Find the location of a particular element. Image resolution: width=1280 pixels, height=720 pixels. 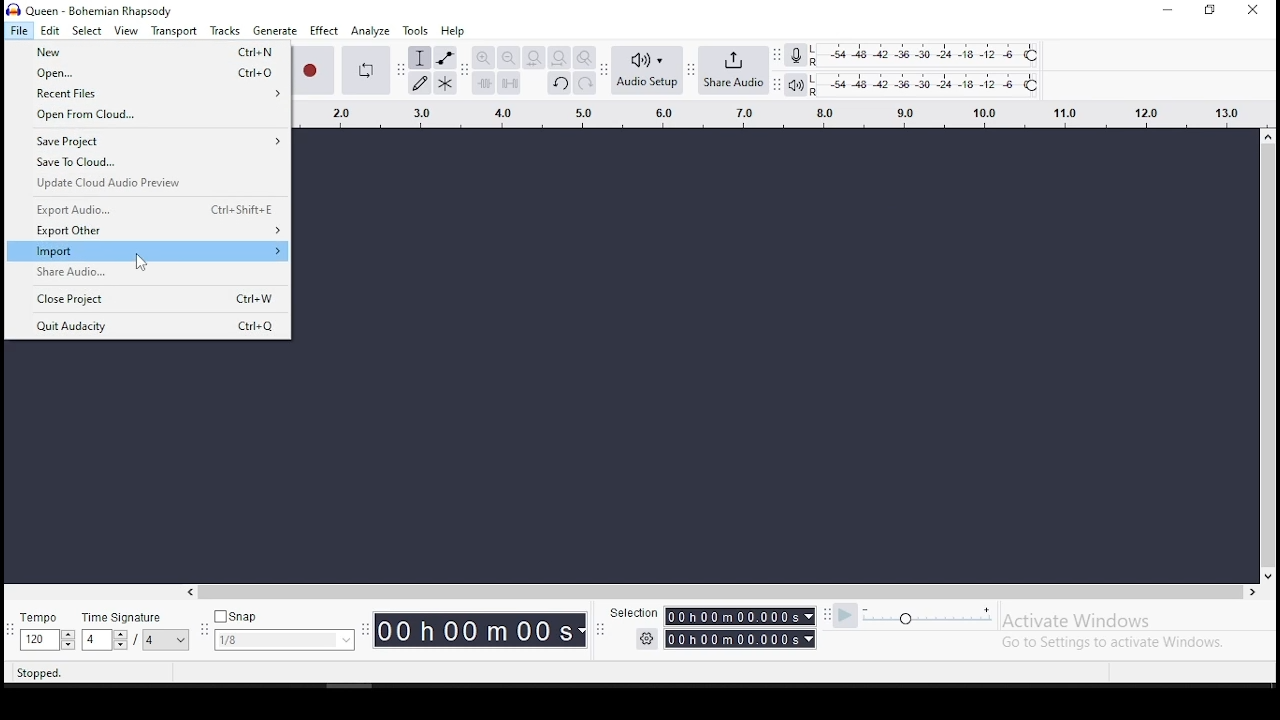

analuze is located at coordinates (370, 31).